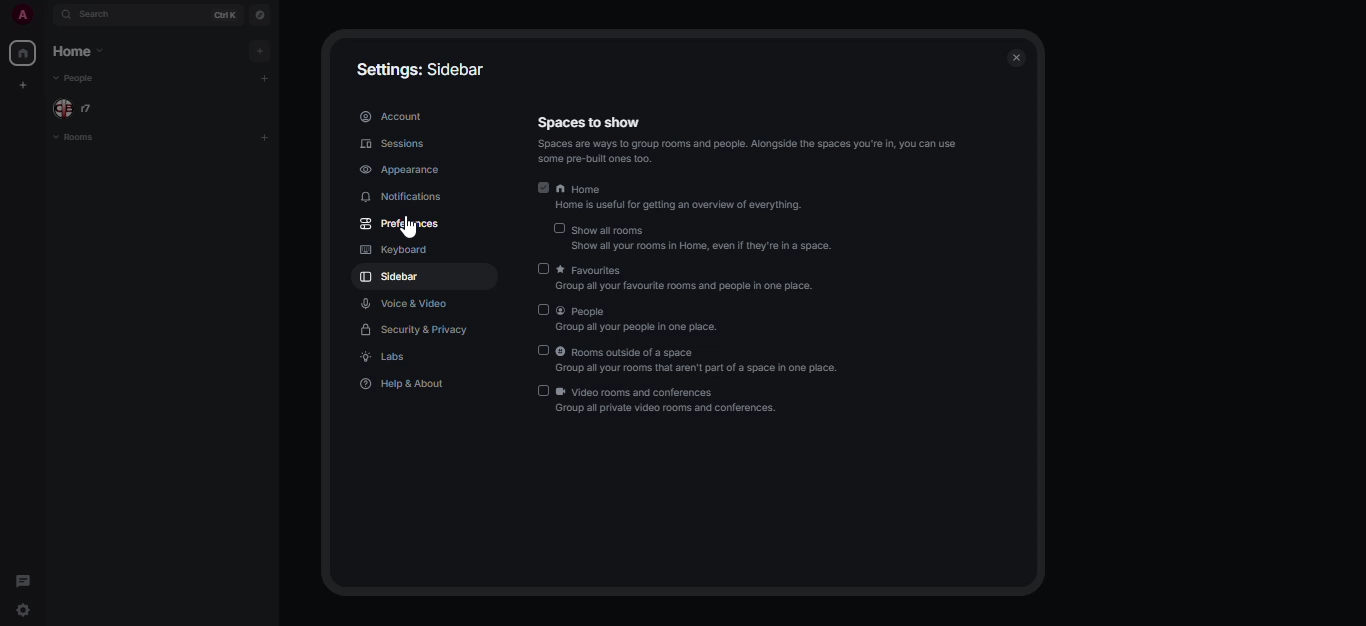 Image resolution: width=1366 pixels, height=626 pixels. What do you see at coordinates (1017, 54) in the screenshot?
I see `close` at bounding box center [1017, 54].